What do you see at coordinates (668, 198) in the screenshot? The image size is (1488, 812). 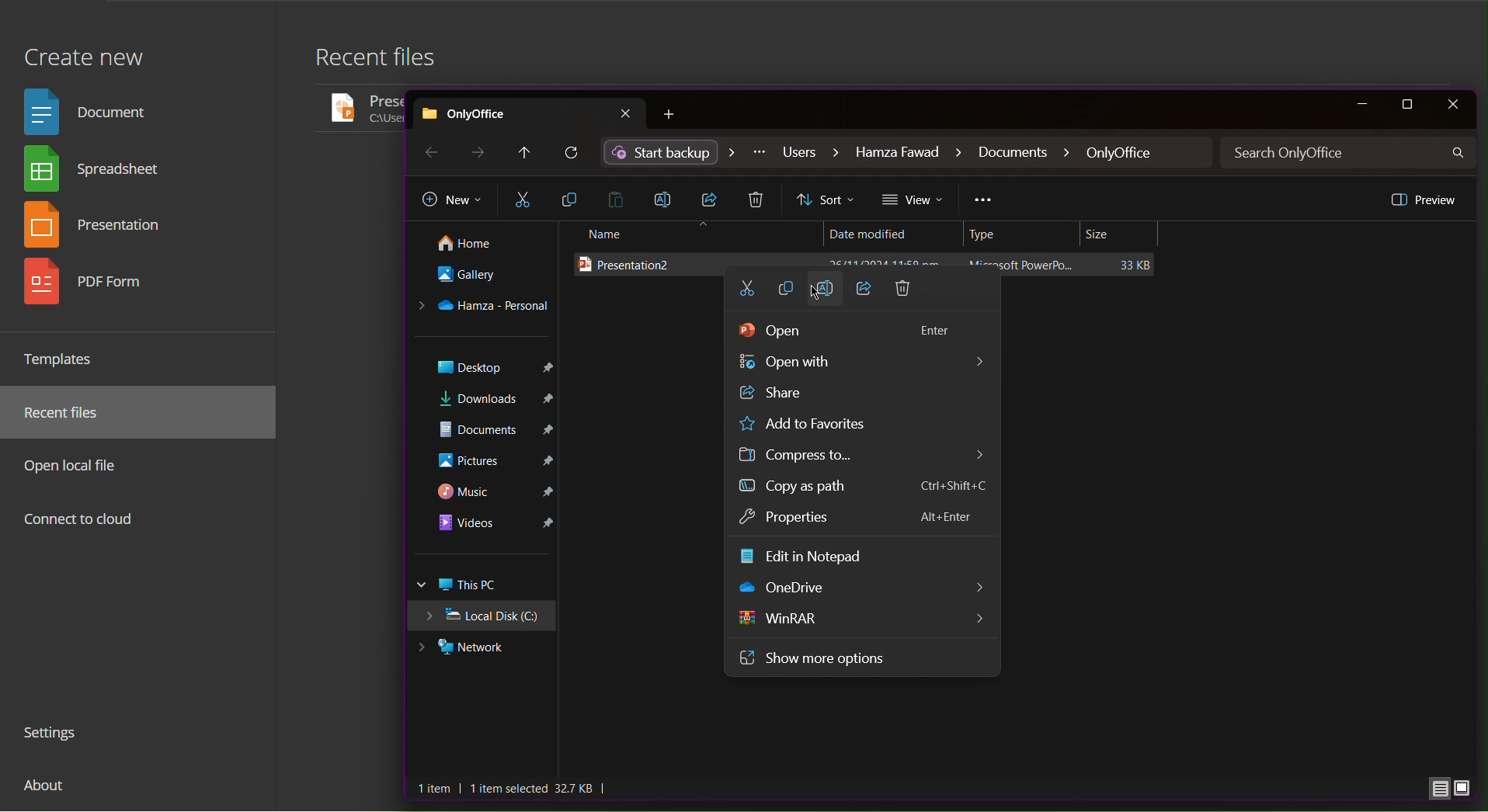 I see `Rename` at bounding box center [668, 198].